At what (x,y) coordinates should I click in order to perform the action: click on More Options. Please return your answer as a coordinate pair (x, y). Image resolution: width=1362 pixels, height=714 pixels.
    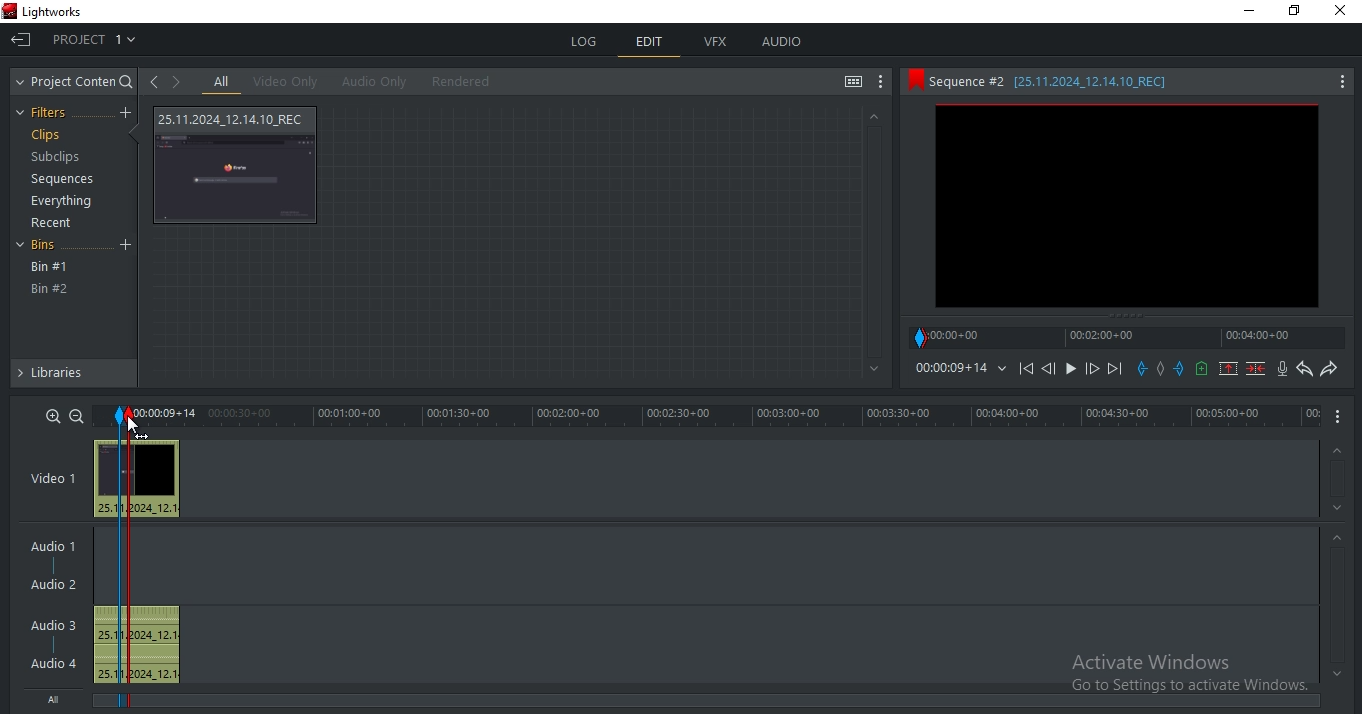
    Looking at the image, I should click on (1343, 80).